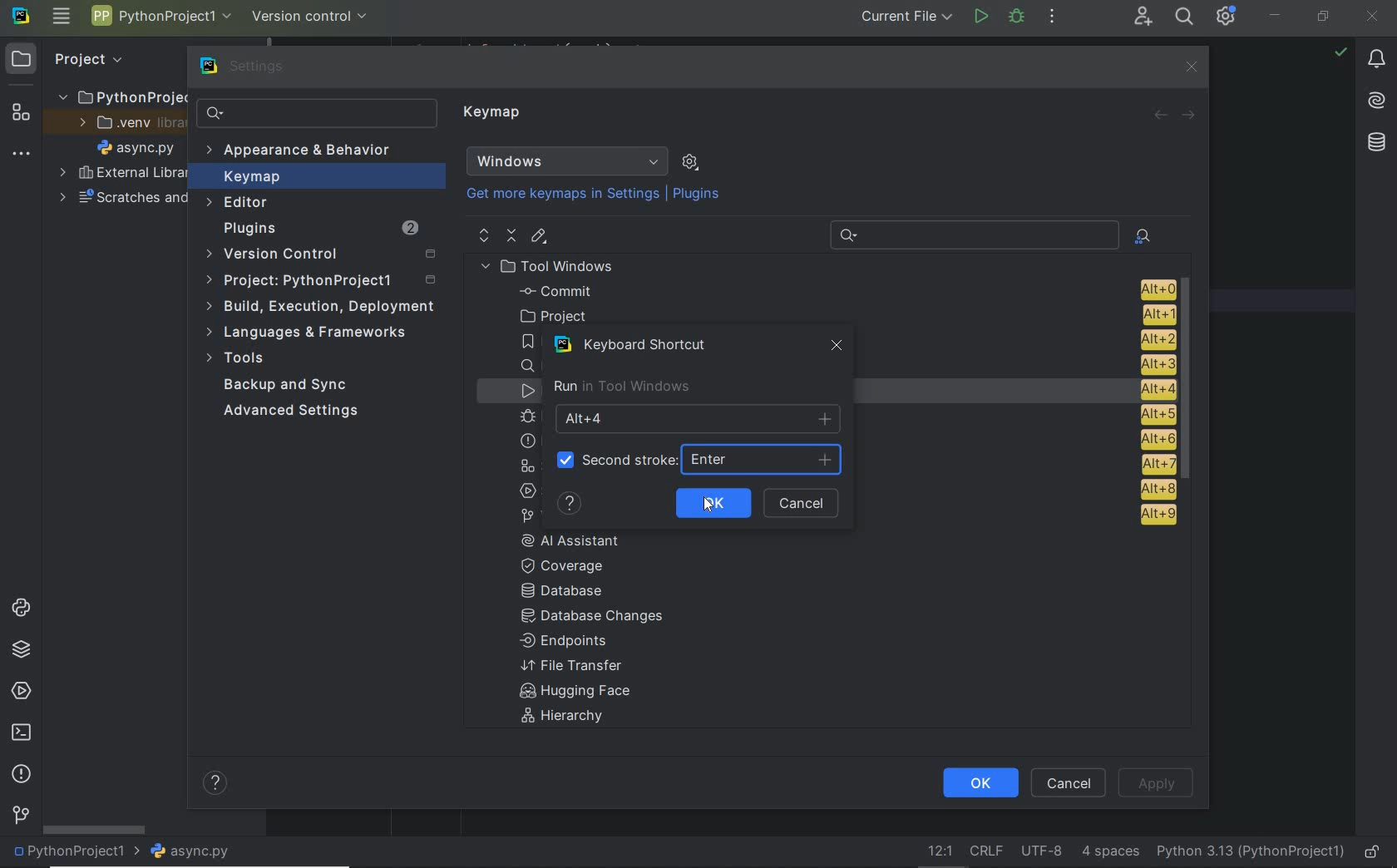 This screenshot has width=1397, height=868. Describe the element at coordinates (540, 238) in the screenshot. I see `editor shortcut` at that location.